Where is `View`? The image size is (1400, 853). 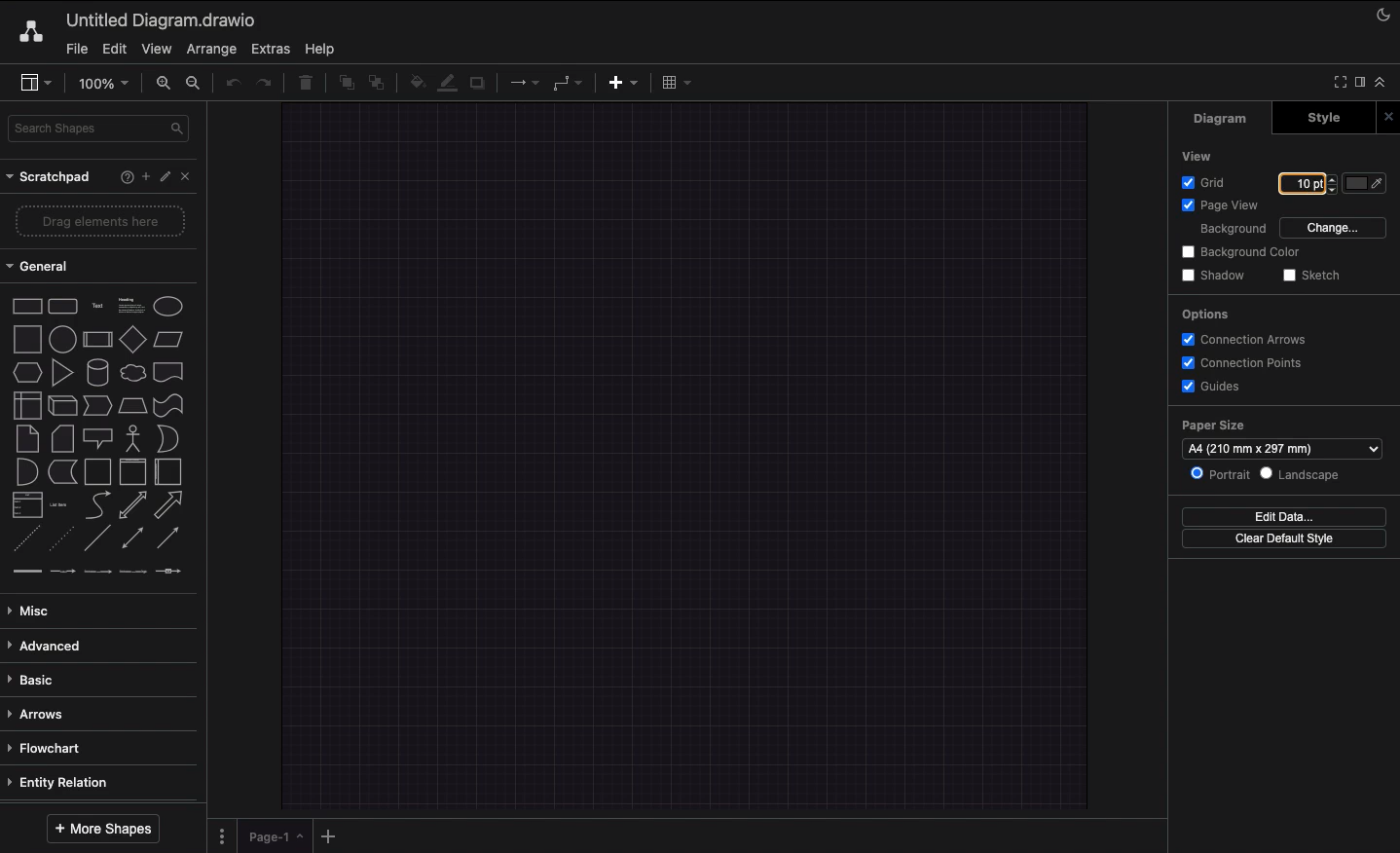
View is located at coordinates (155, 50).